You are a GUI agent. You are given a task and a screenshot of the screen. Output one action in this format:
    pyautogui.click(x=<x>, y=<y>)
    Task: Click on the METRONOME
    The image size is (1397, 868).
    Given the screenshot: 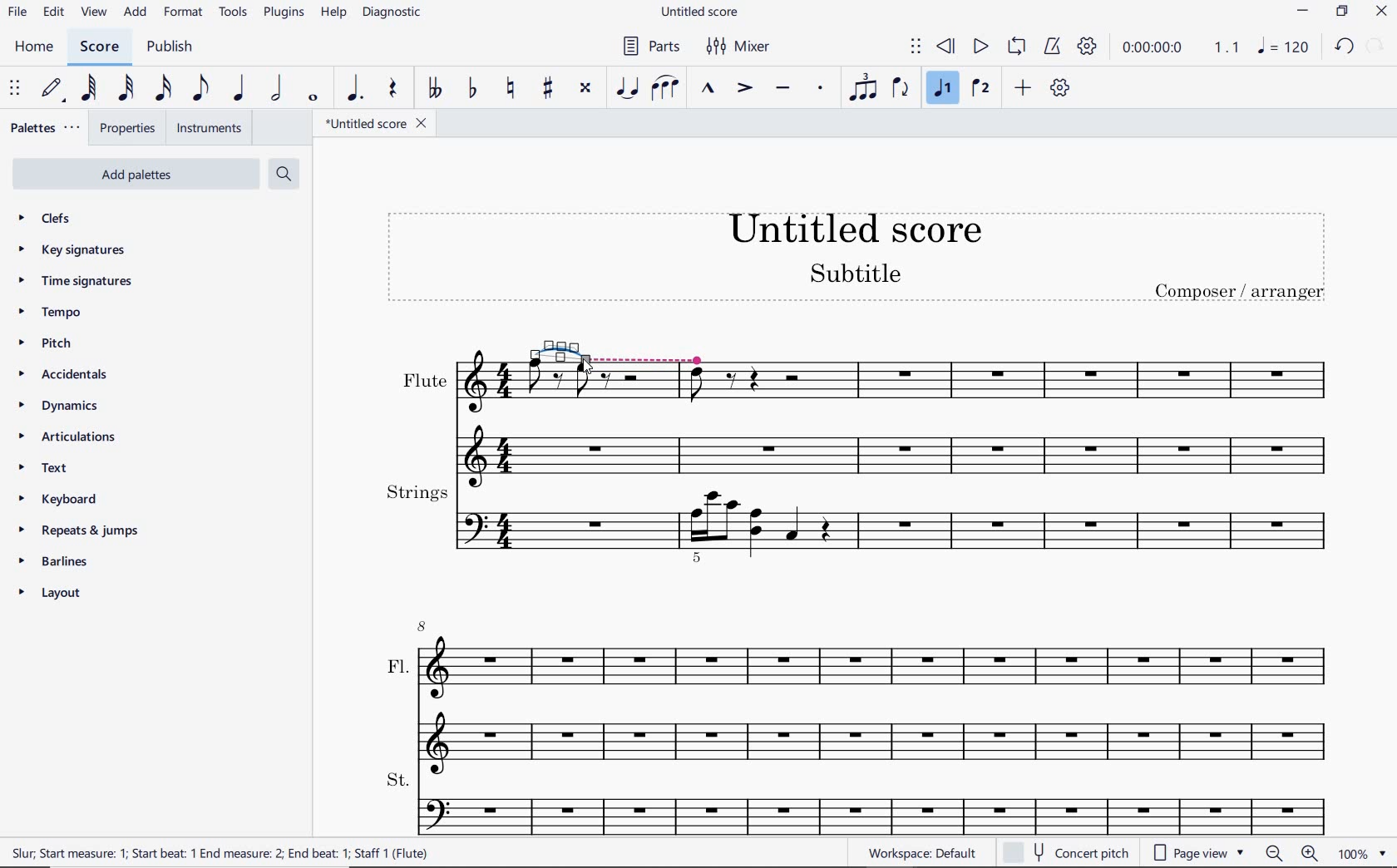 What is the action you would take?
    pyautogui.click(x=1052, y=47)
    